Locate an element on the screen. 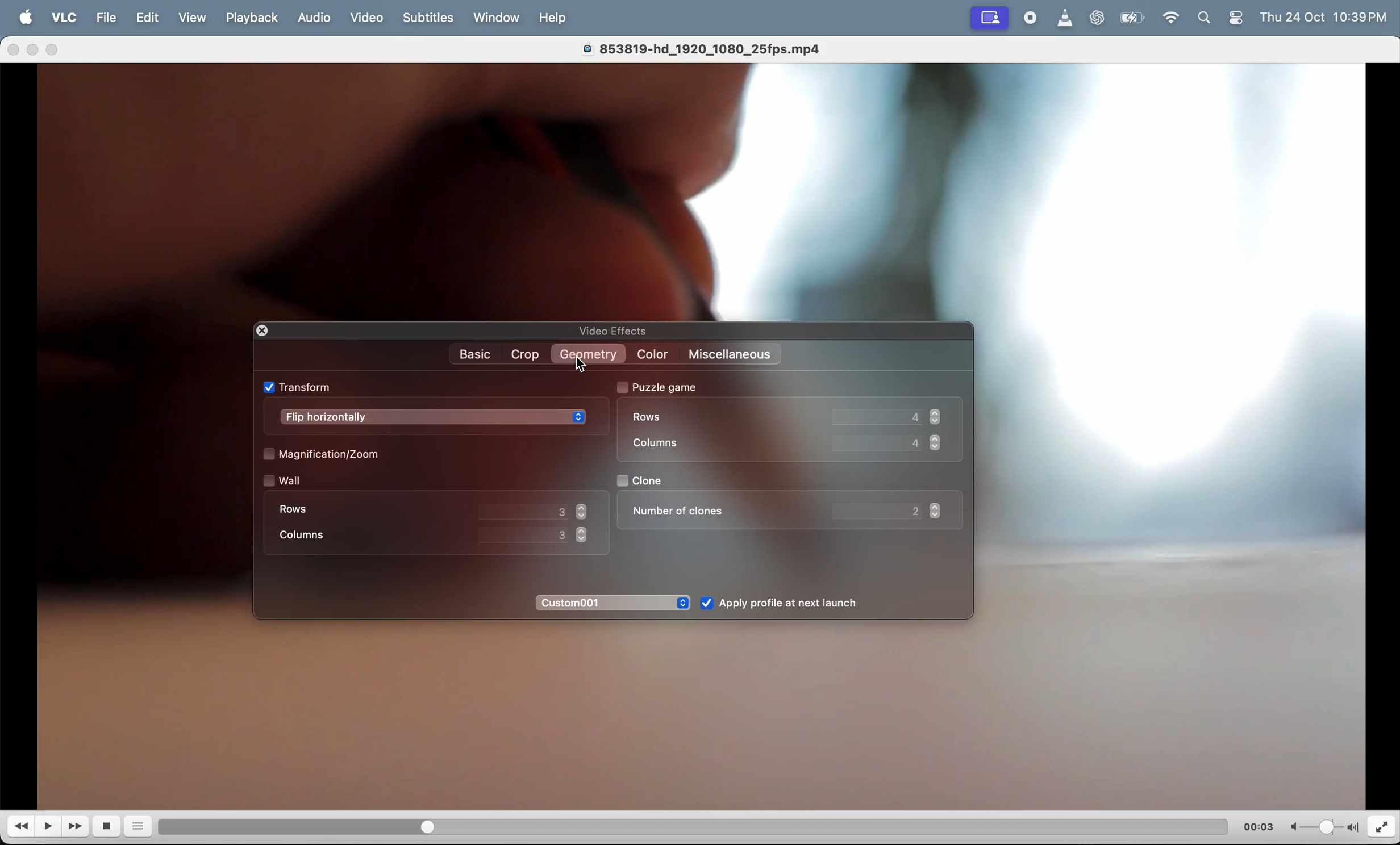  duration is located at coordinates (678, 825).